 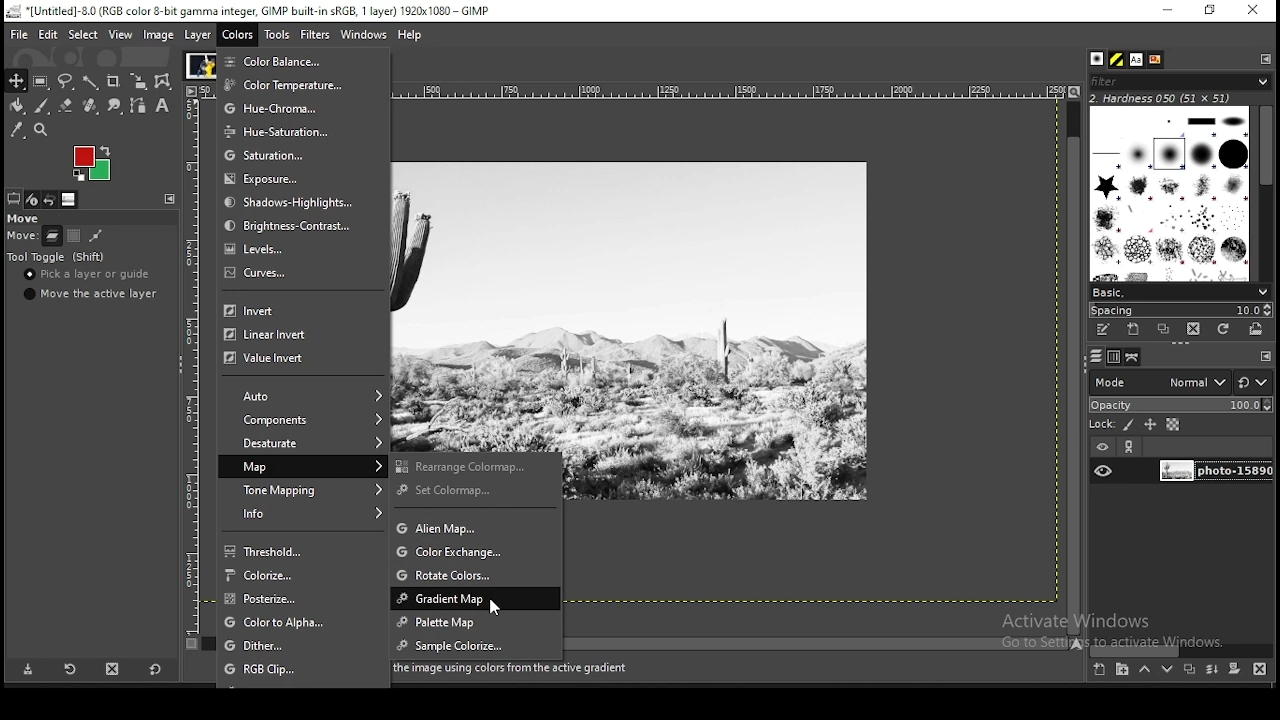 I want to click on map, so click(x=303, y=466).